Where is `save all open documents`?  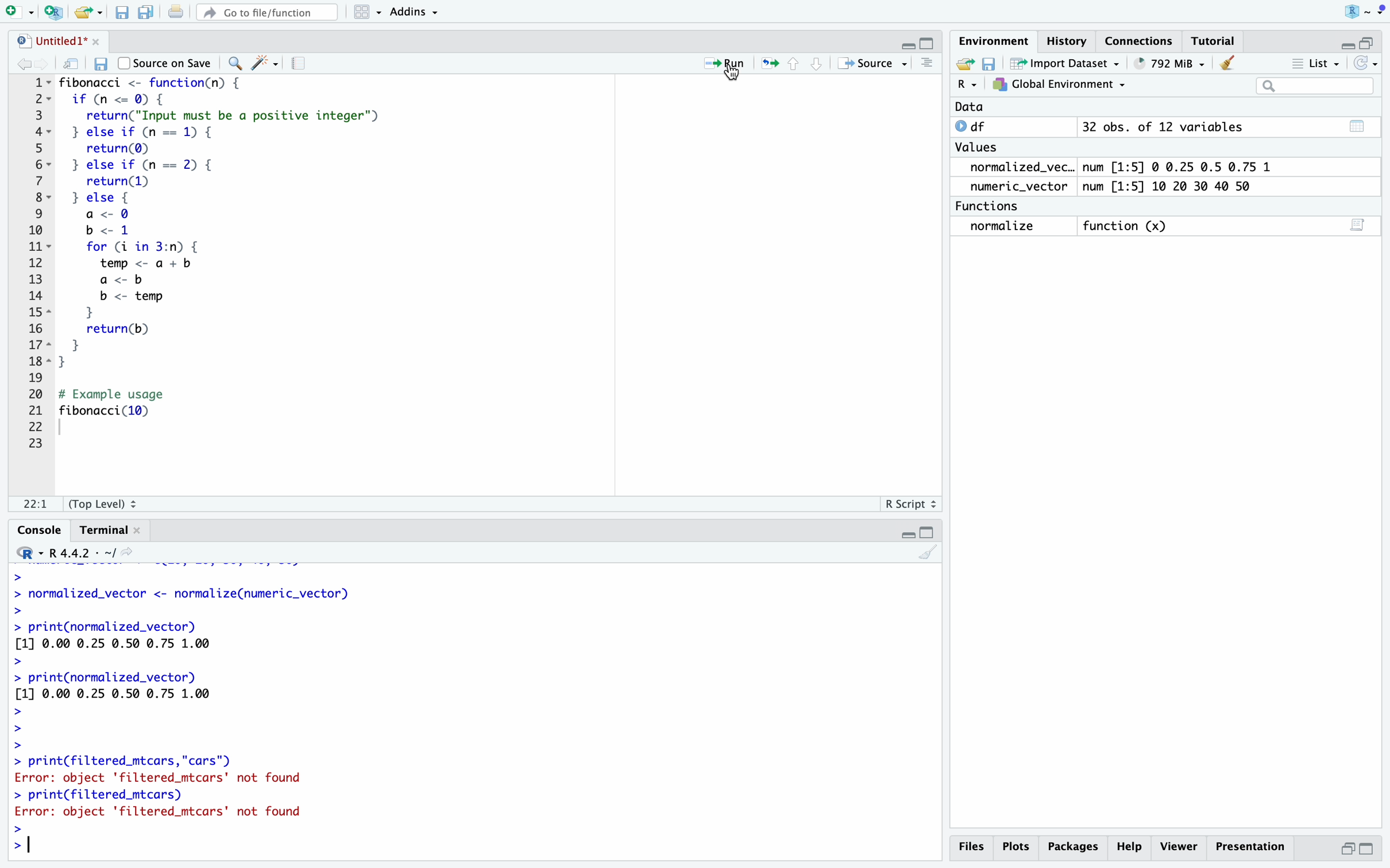 save all open documents is located at coordinates (147, 11).